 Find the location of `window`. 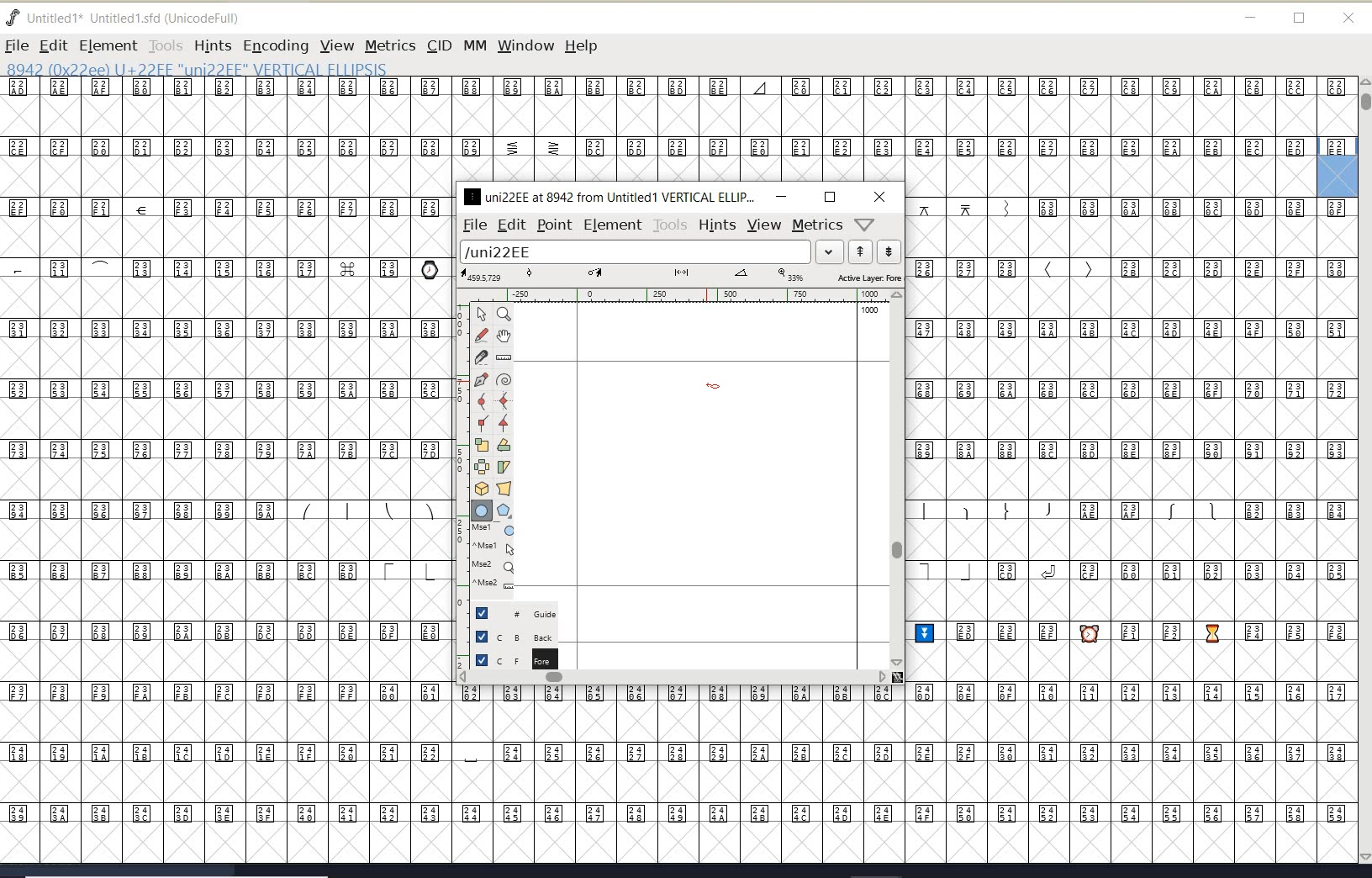

window is located at coordinates (525, 45).